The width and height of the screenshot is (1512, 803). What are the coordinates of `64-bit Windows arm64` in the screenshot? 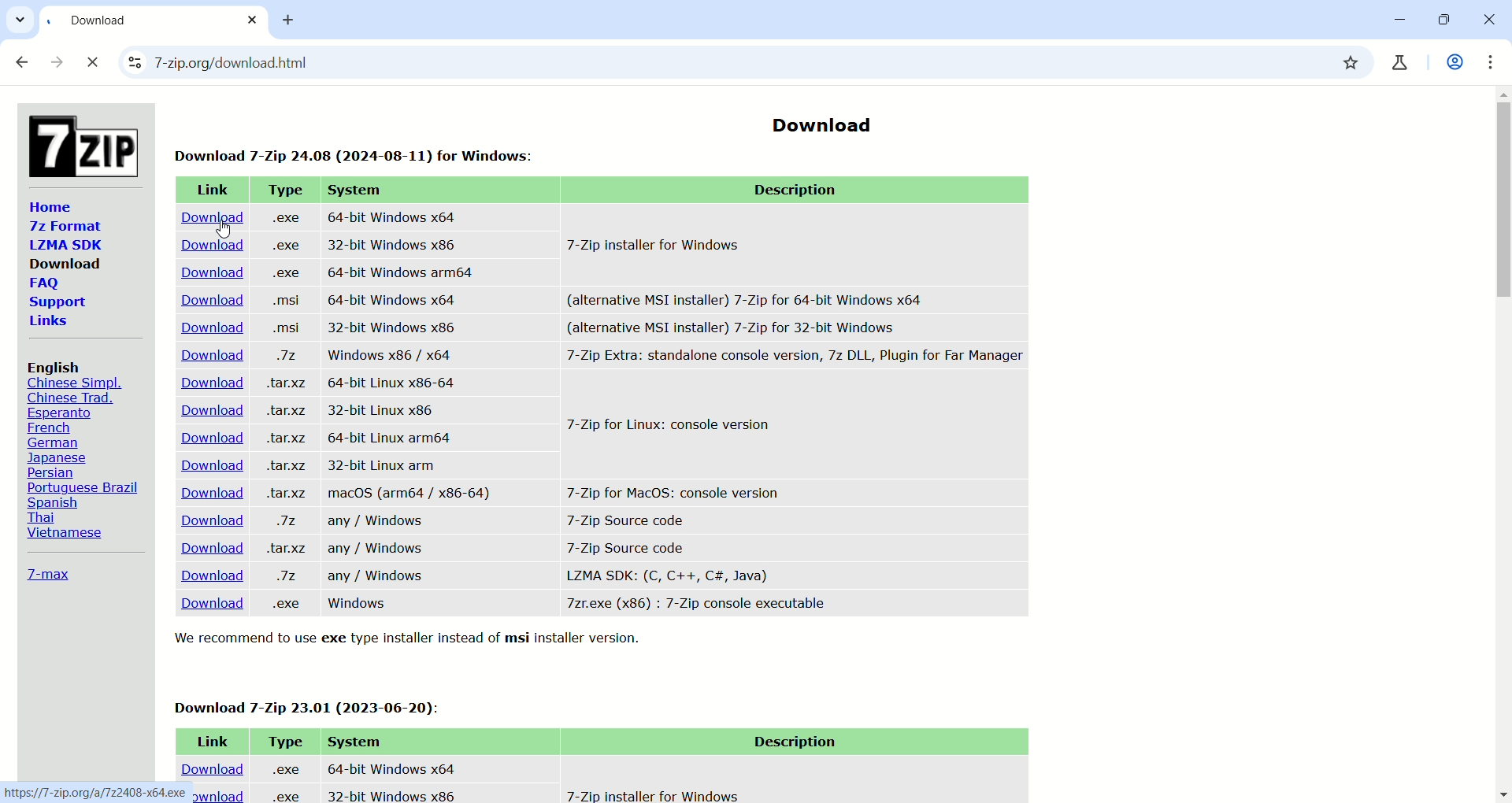 It's located at (402, 272).